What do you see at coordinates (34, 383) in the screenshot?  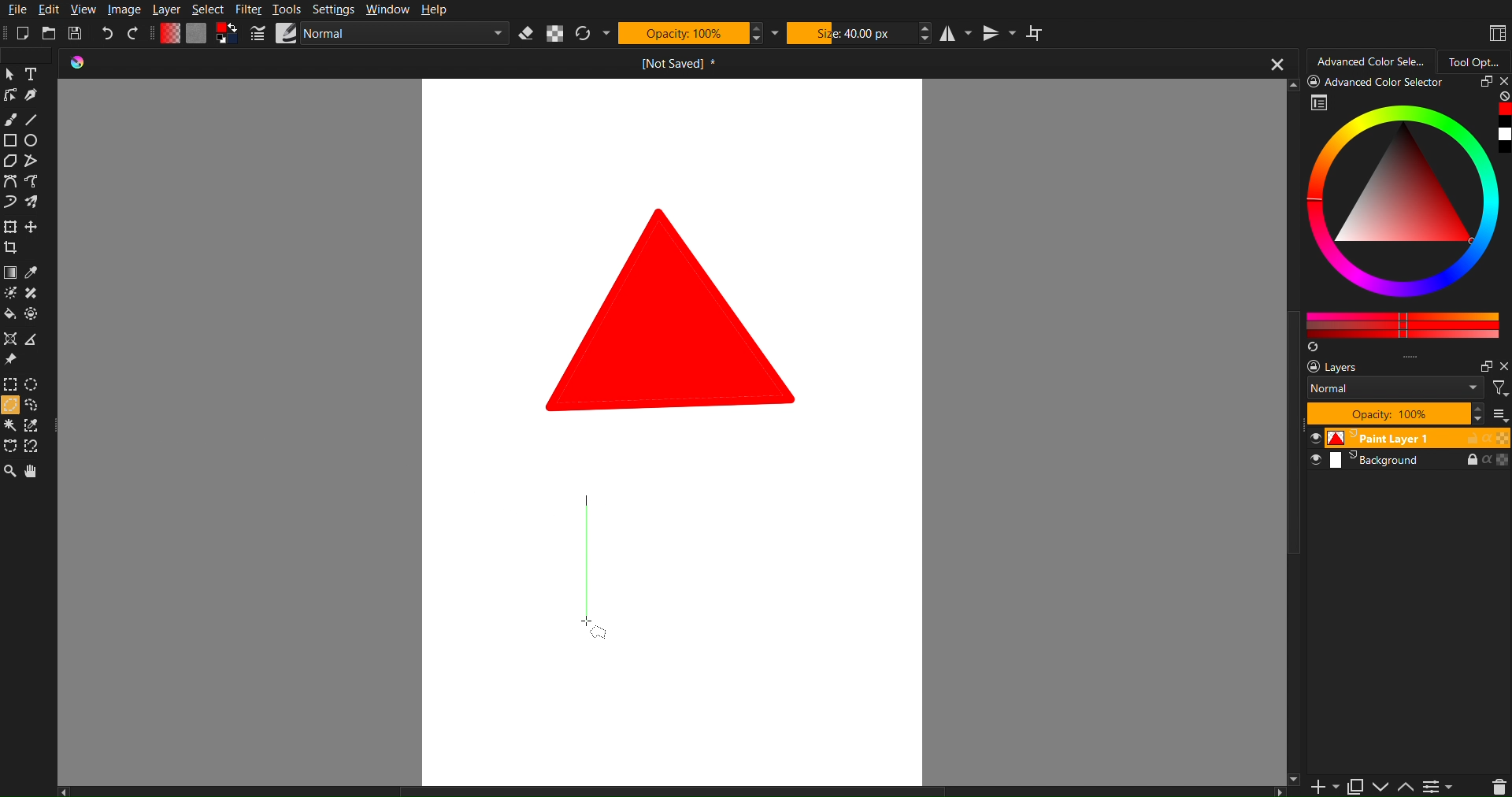 I see `Selection Square ` at bounding box center [34, 383].